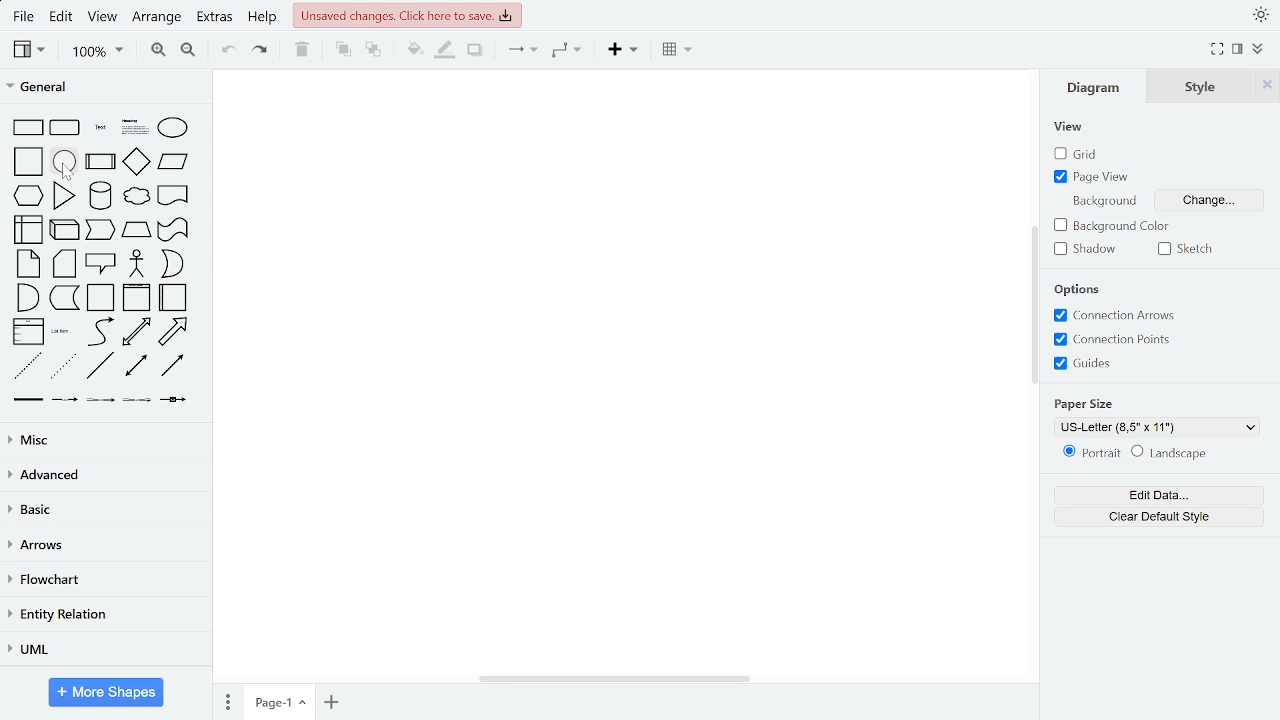  I want to click on tape, so click(173, 229).